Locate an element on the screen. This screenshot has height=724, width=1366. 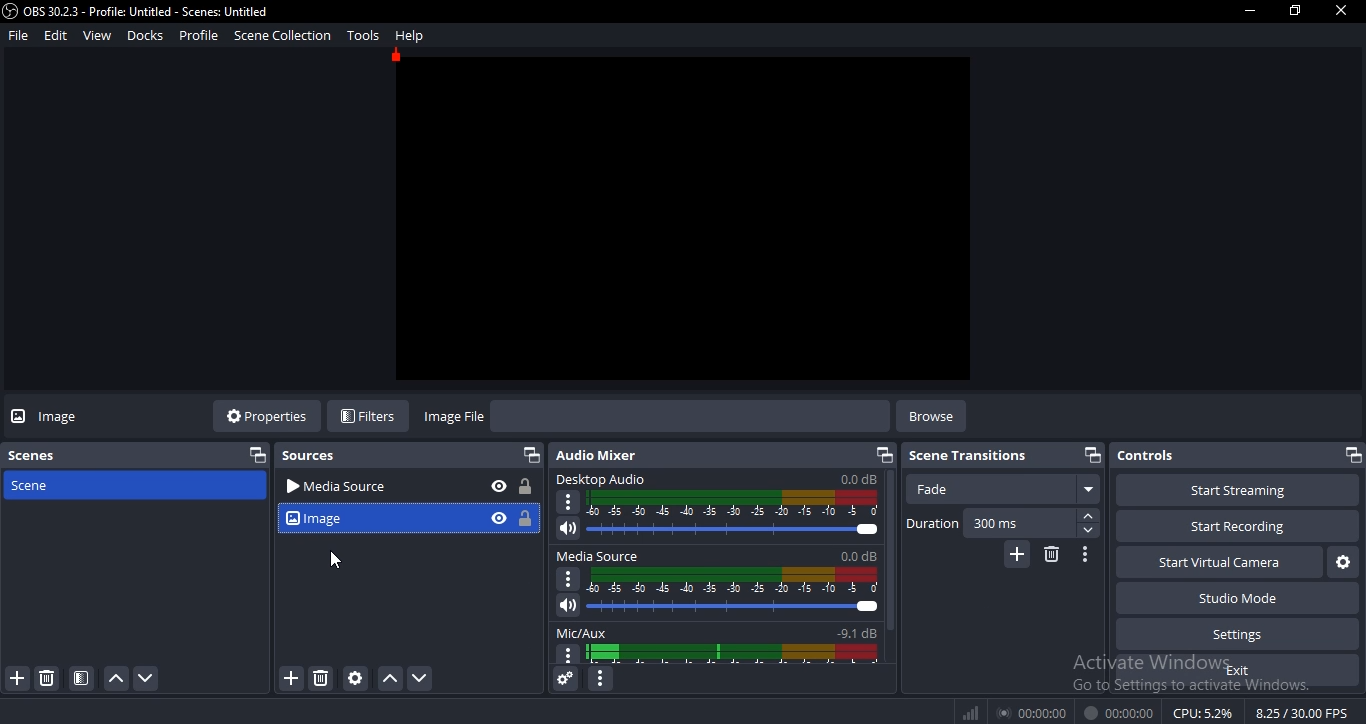
minimize is located at coordinates (1247, 11).